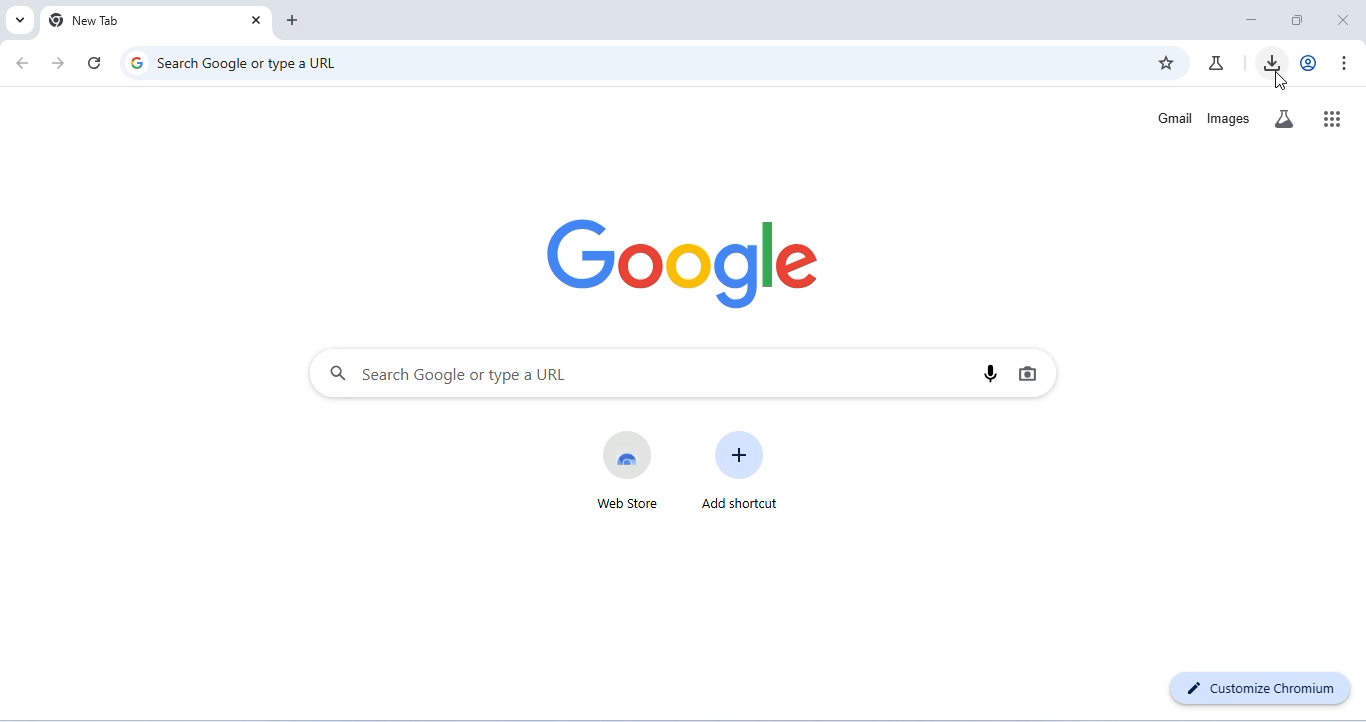 The image size is (1366, 722). I want to click on add shortcut, so click(746, 475).